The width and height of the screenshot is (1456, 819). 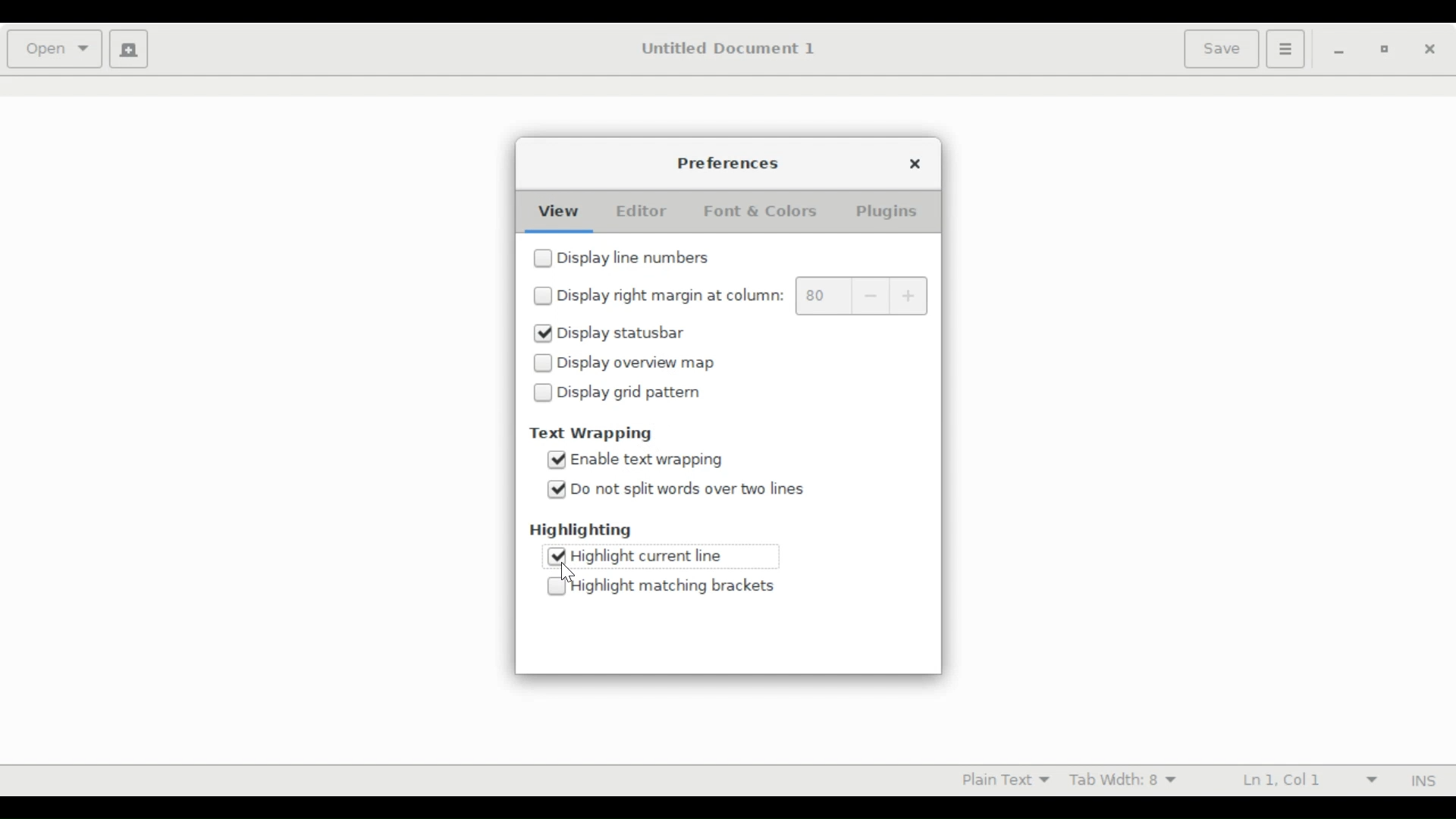 What do you see at coordinates (1307, 780) in the screenshot?
I see `Line and Colum Preference` at bounding box center [1307, 780].